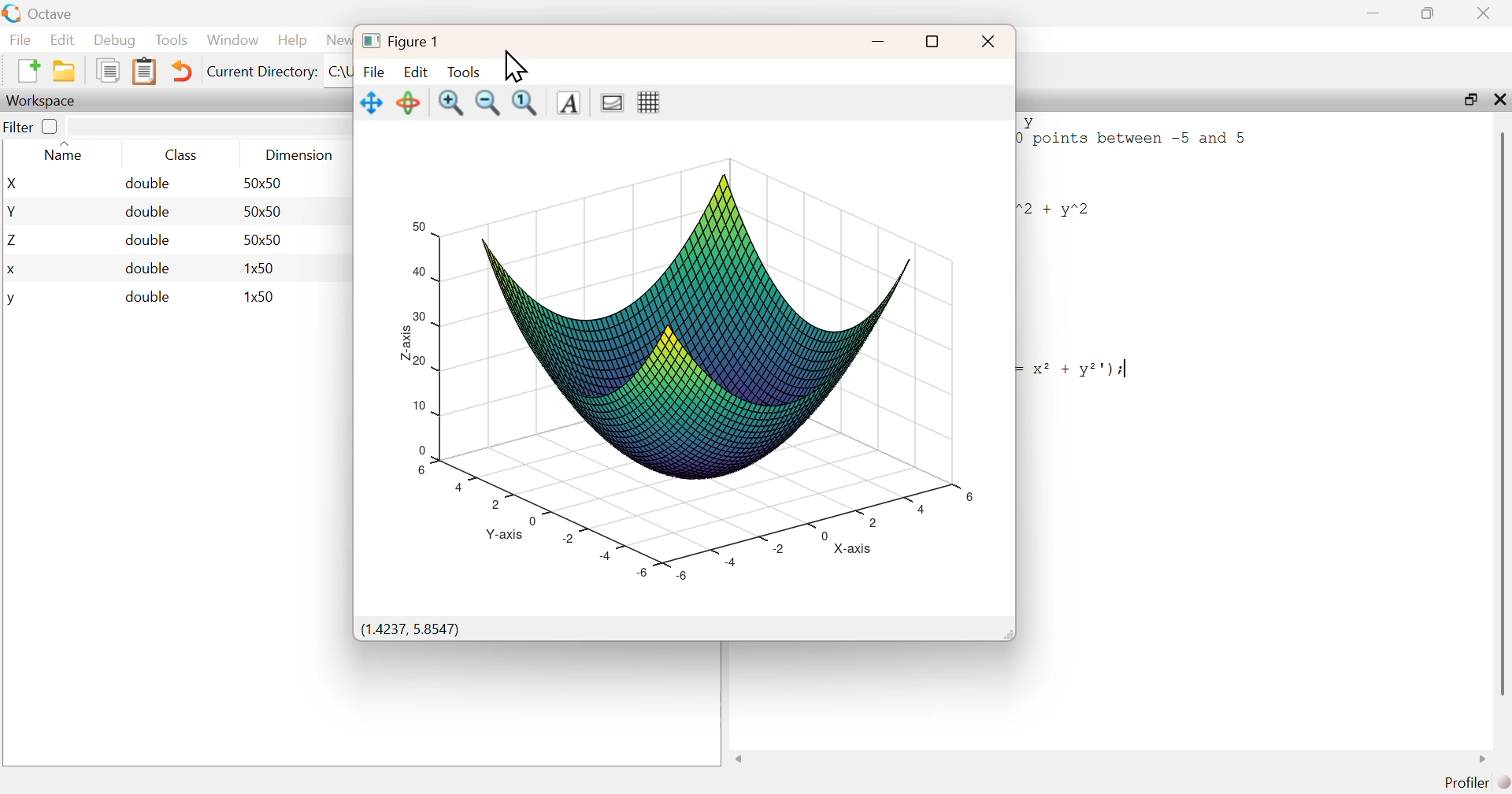 The image size is (1512, 794). What do you see at coordinates (261, 268) in the screenshot?
I see `1x50` at bounding box center [261, 268].